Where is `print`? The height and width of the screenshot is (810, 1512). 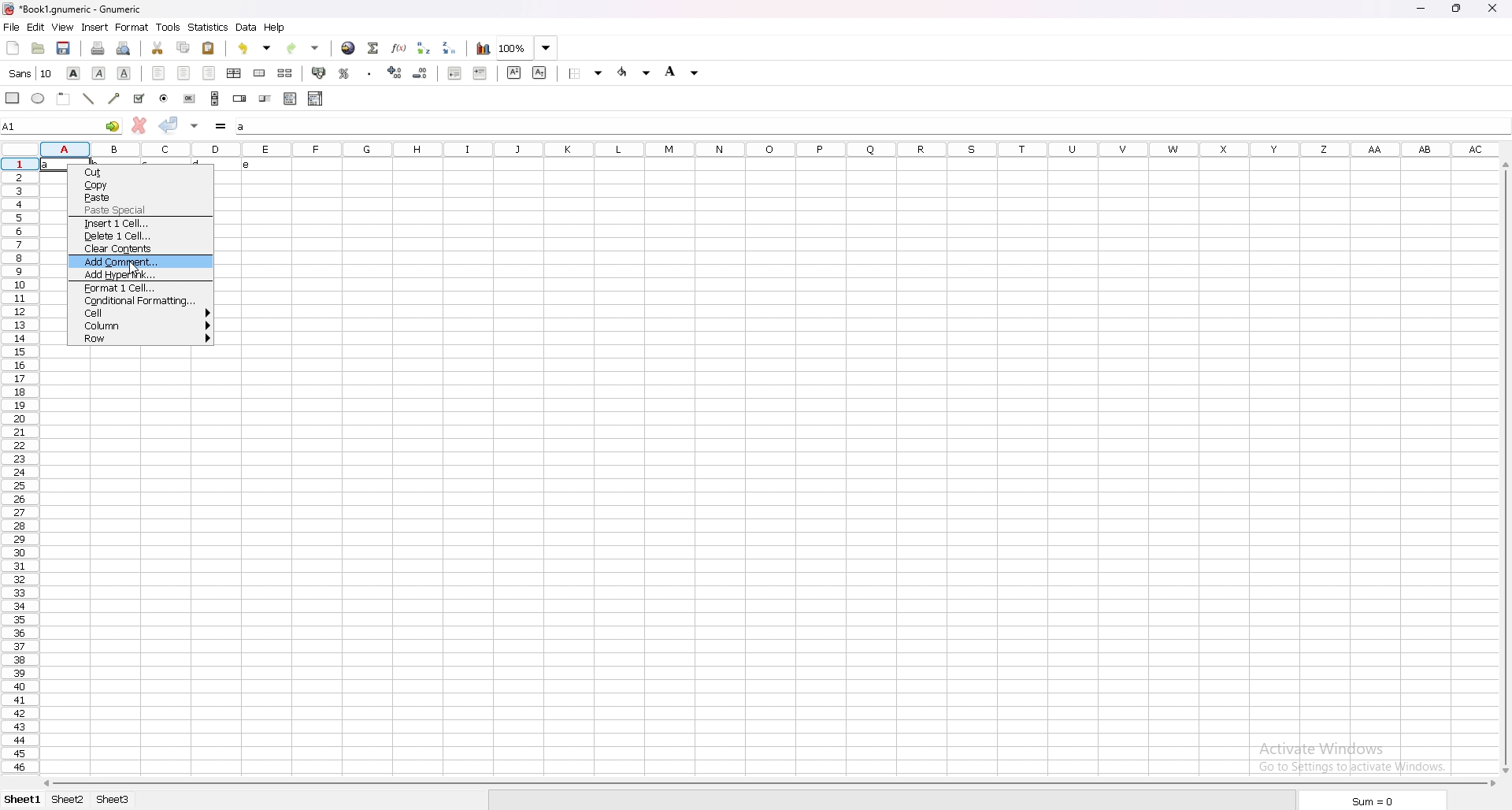 print is located at coordinates (98, 48).